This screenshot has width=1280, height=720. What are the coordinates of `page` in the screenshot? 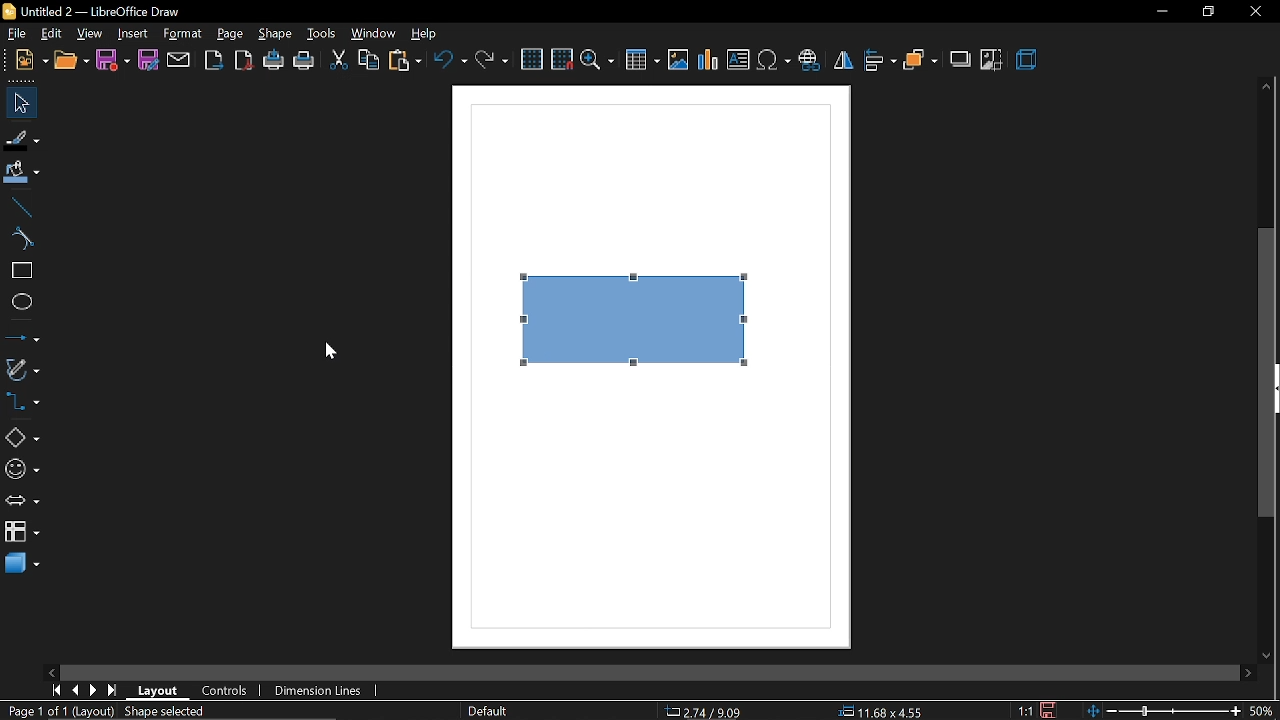 It's located at (232, 32).